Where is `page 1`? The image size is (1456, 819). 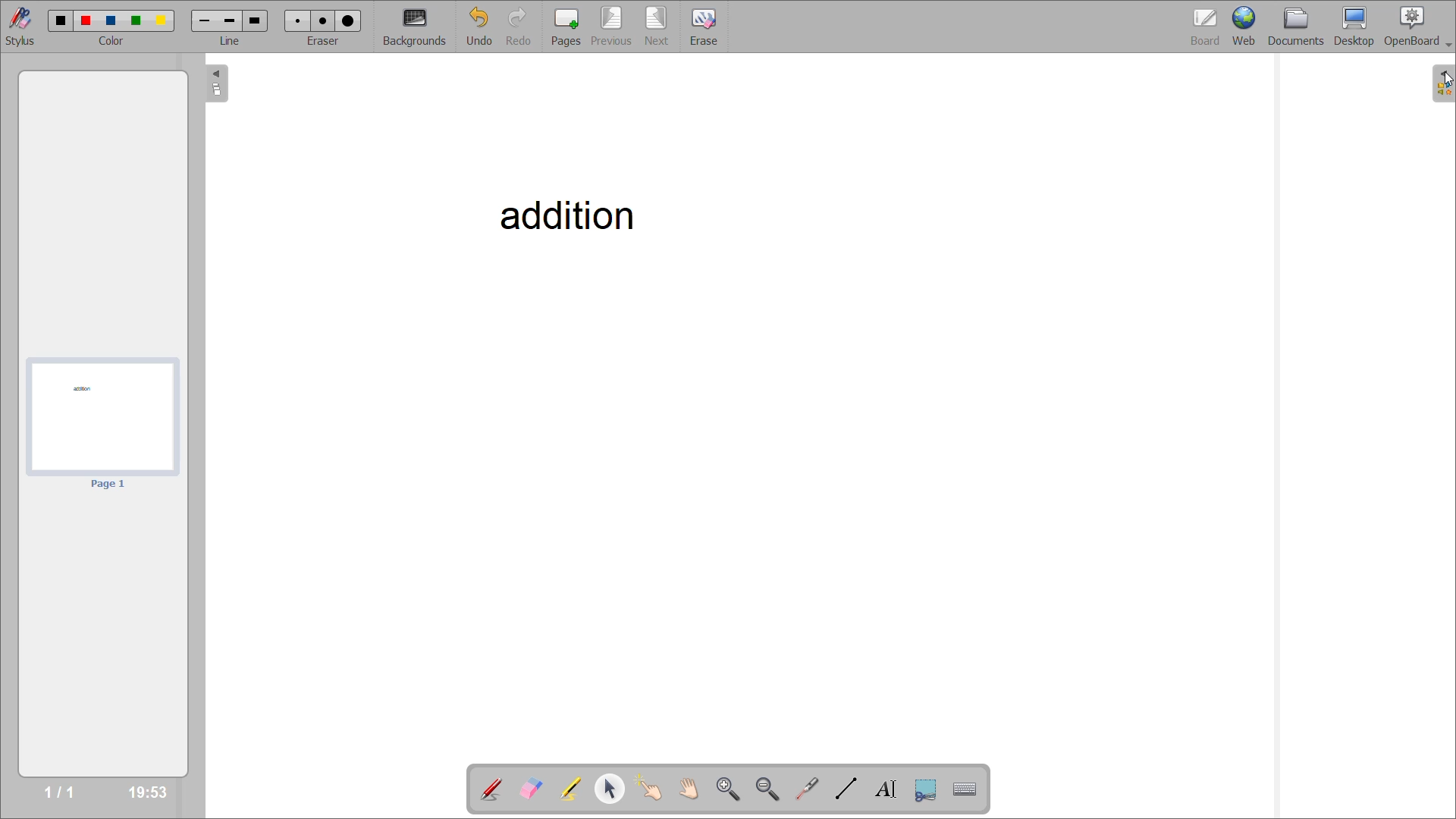
page 1 is located at coordinates (108, 485).